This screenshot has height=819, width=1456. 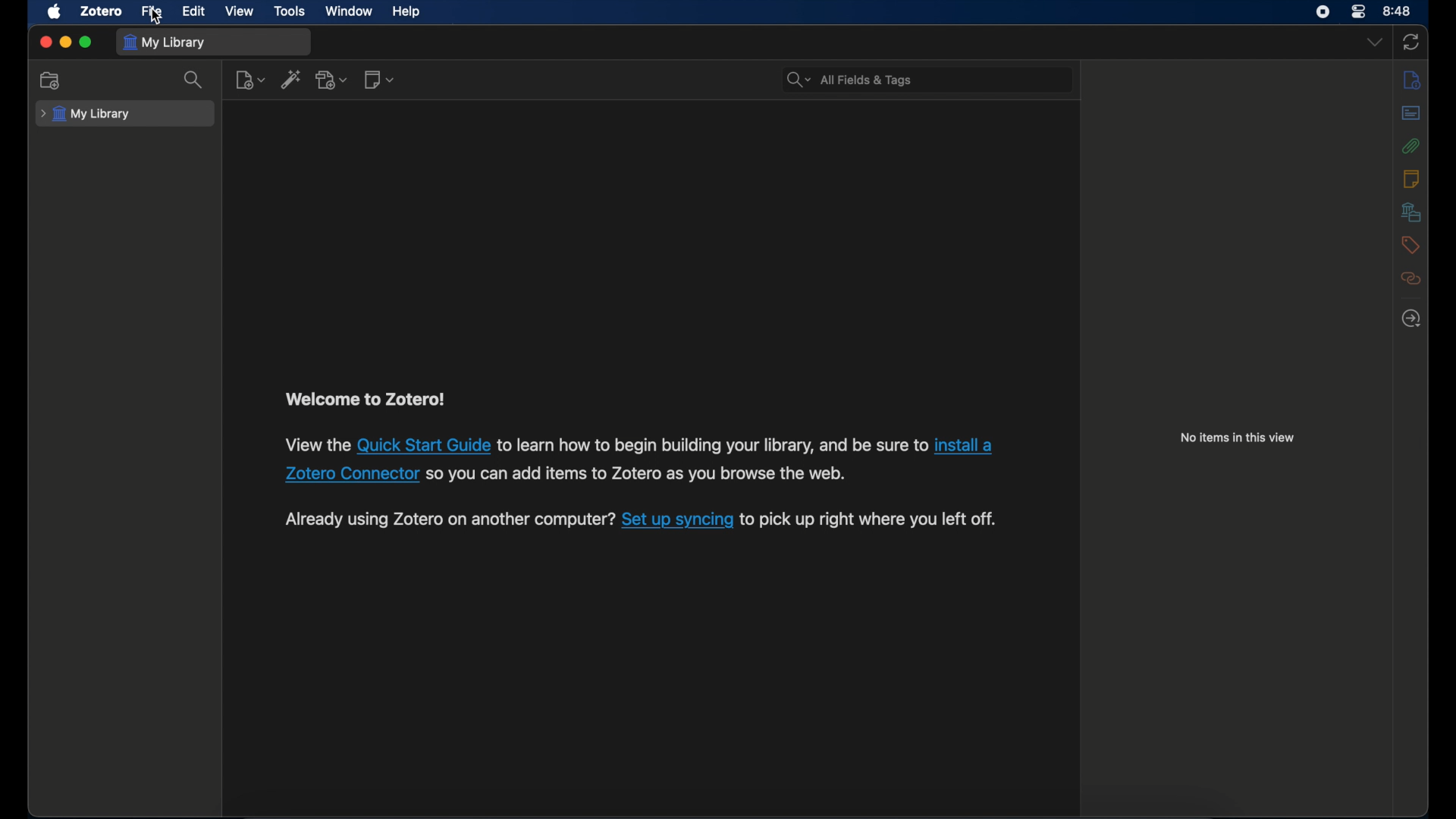 What do you see at coordinates (714, 445) in the screenshot?
I see `software information` at bounding box center [714, 445].